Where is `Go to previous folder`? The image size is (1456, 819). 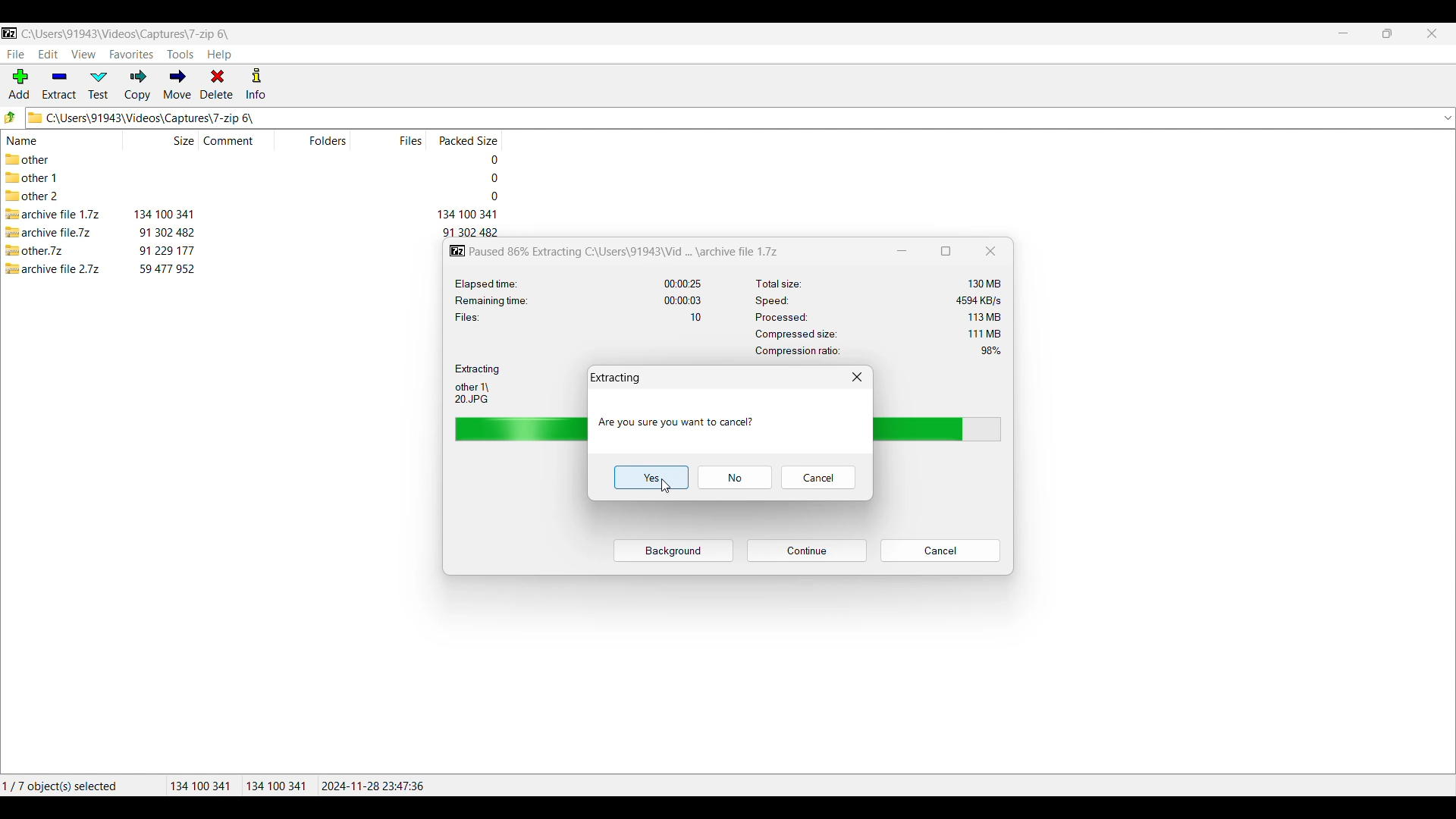 Go to previous folder is located at coordinates (11, 117).